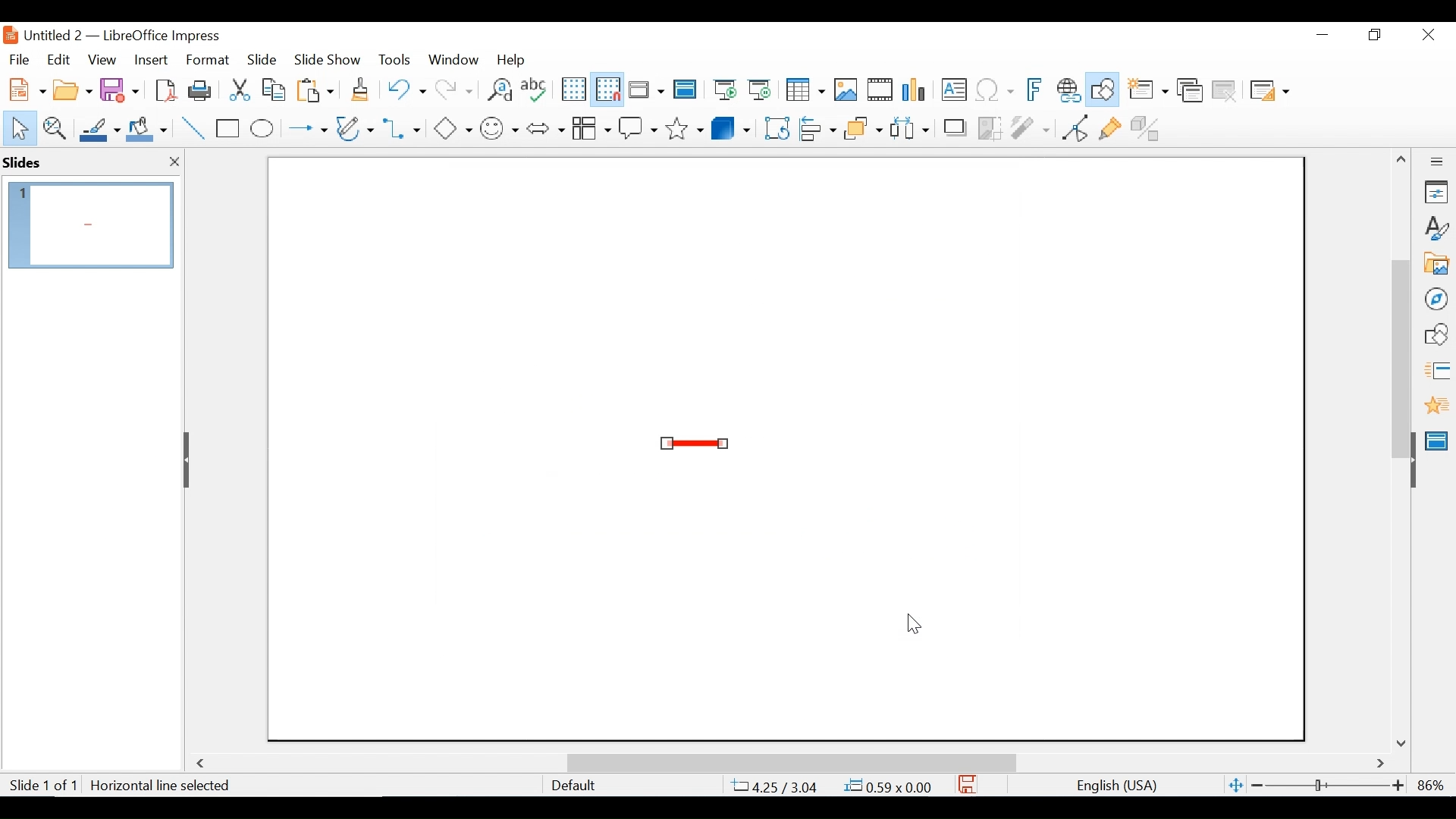  I want to click on Select atleast three images to Distribute, so click(909, 127).